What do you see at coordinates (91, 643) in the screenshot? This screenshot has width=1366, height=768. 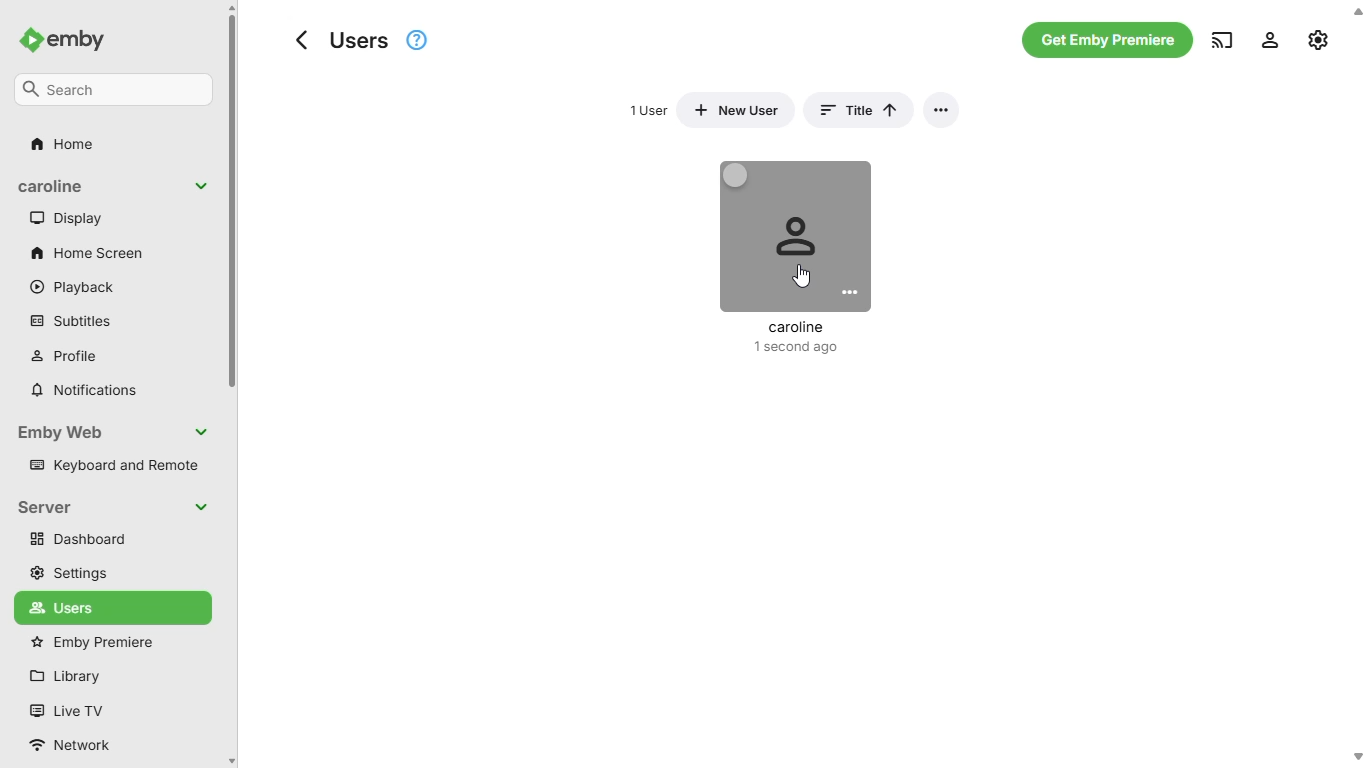 I see `emby premiere` at bounding box center [91, 643].